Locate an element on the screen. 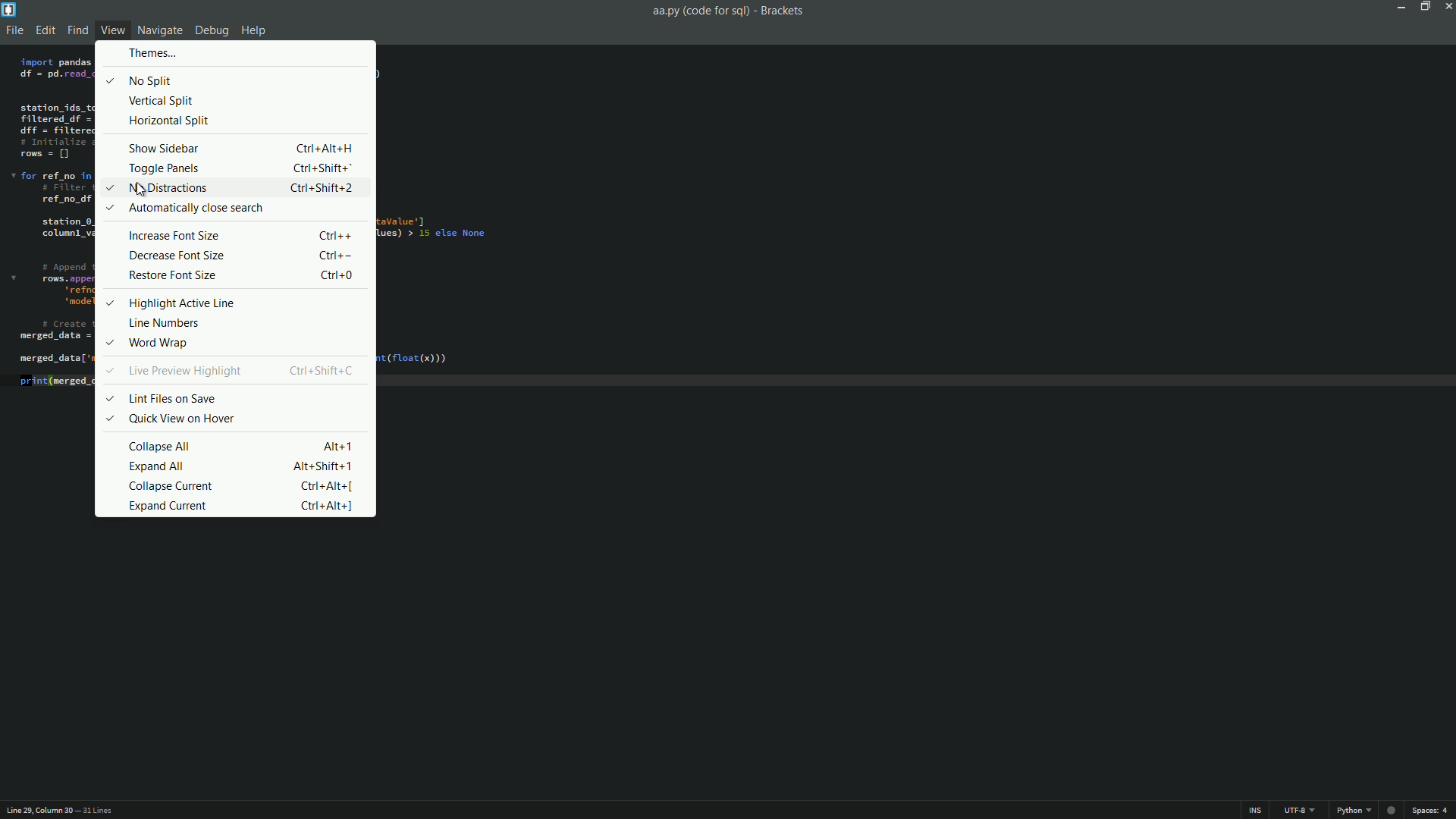  file encoding button is located at coordinates (1300, 810).